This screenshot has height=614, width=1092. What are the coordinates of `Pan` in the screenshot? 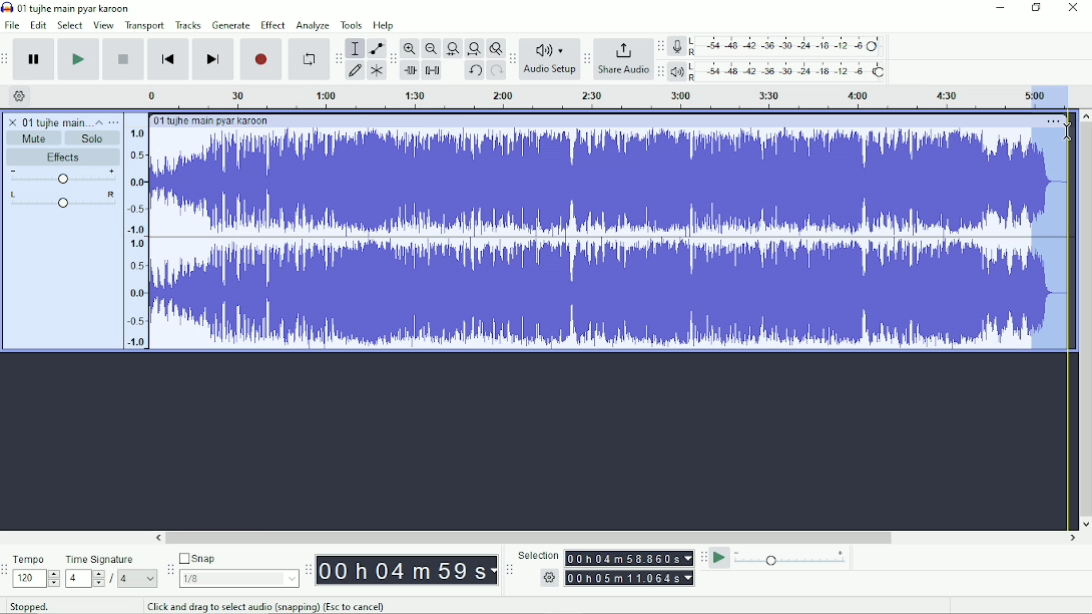 It's located at (60, 200).